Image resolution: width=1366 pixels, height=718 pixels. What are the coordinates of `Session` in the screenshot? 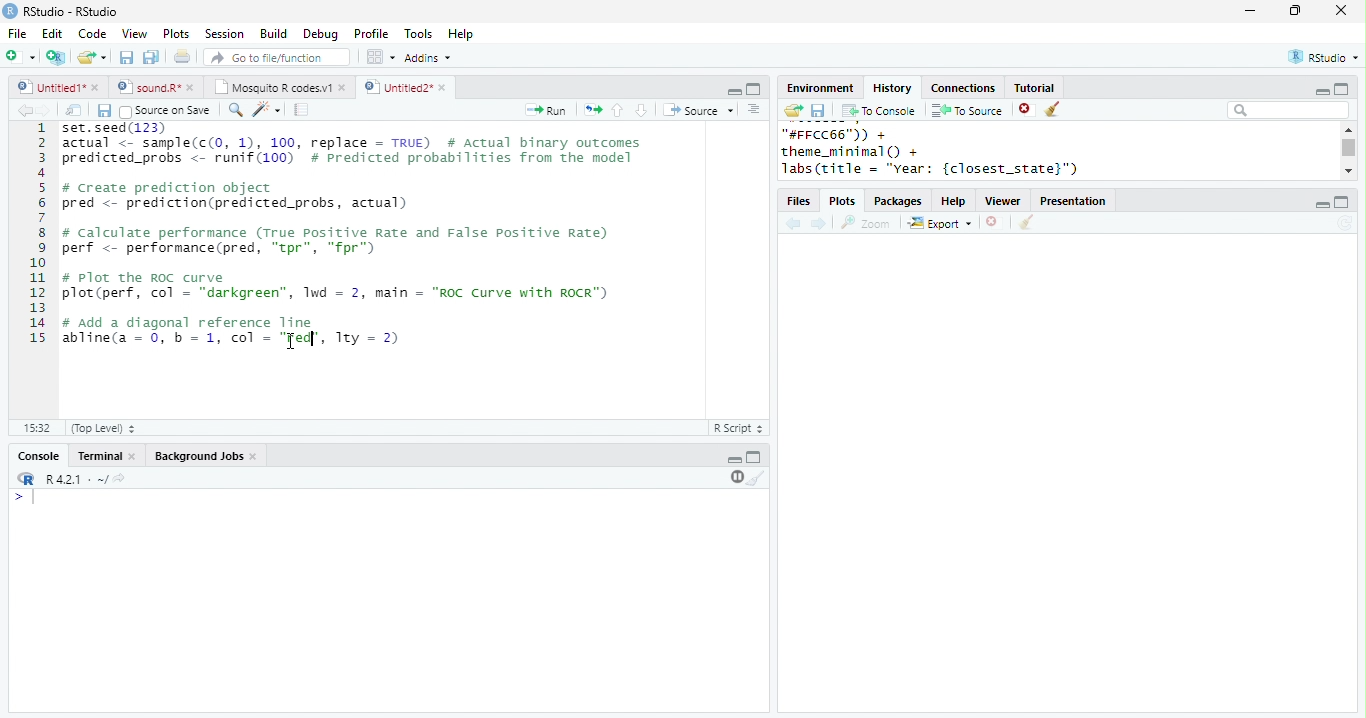 It's located at (224, 34).